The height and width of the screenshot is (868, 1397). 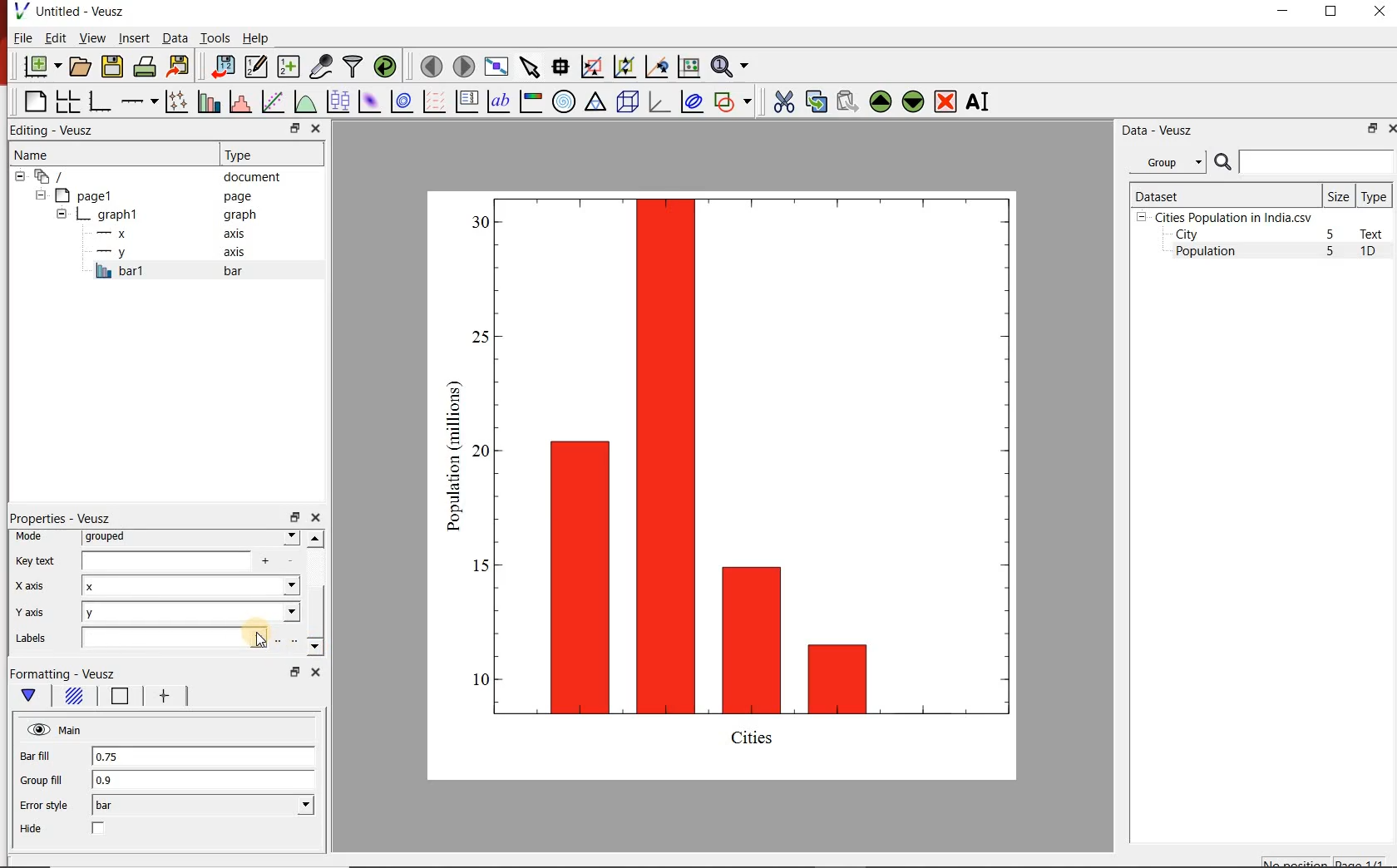 What do you see at coordinates (1305, 162) in the screenshot?
I see `search dataset` at bounding box center [1305, 162].